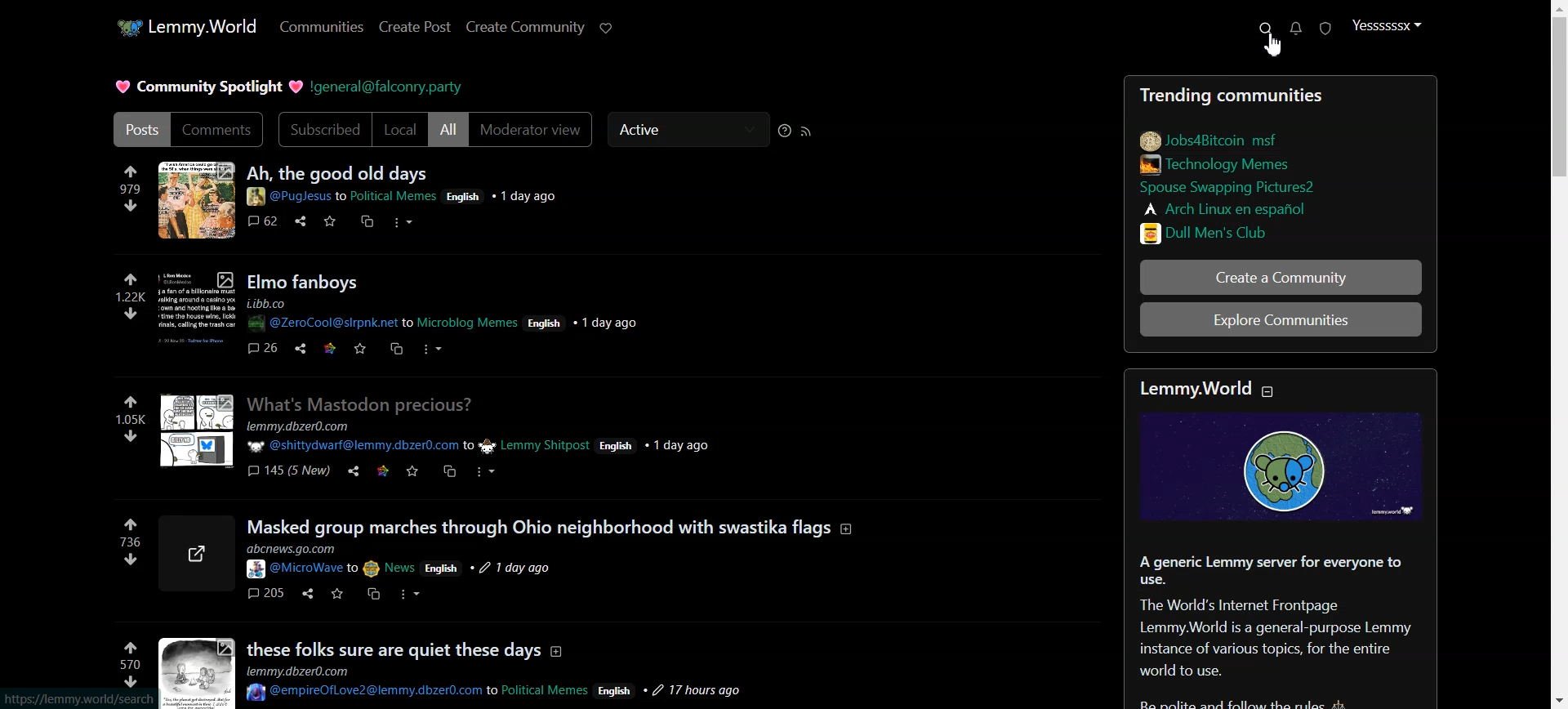 This screenshot has height=709, width=1568. What do you see at coordinates (124, 186) in the screenshot?
I see `numbers` at bounding box center [124, 186].